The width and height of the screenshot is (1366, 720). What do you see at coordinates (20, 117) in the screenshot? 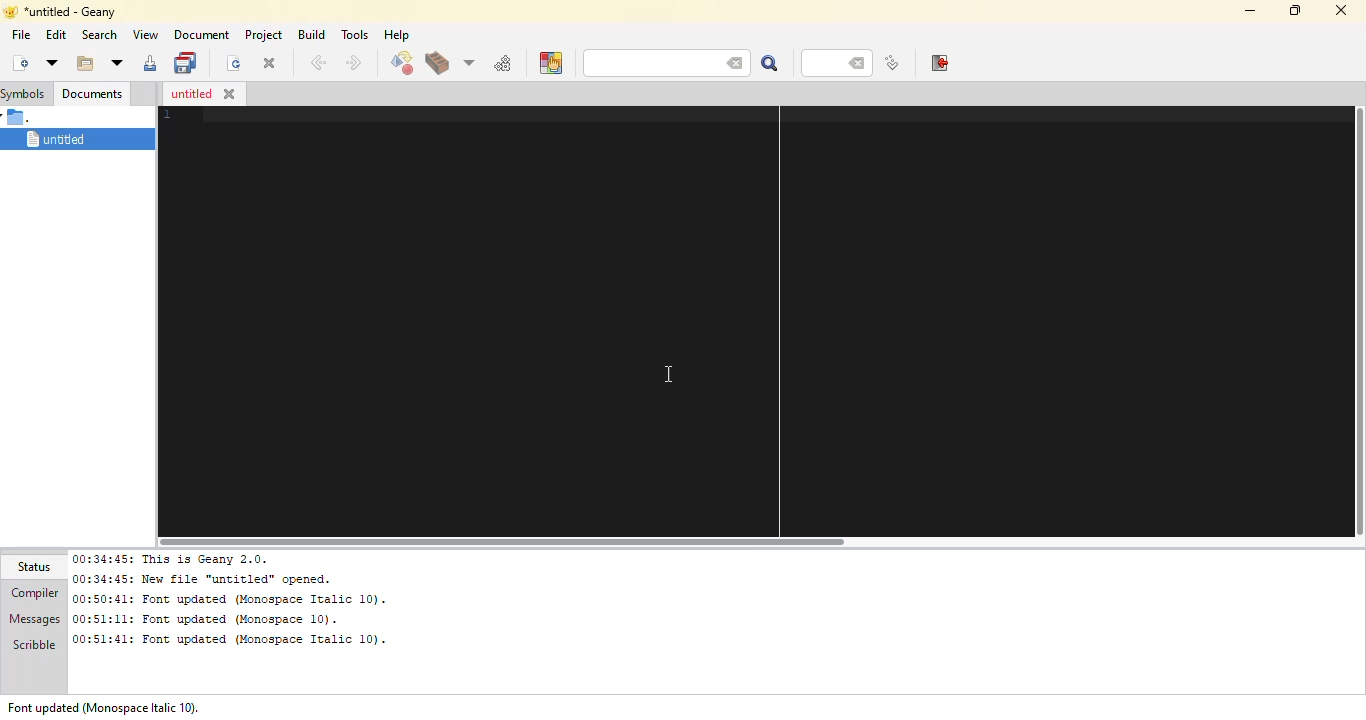
I see `.` at bounding box center [20, 117].